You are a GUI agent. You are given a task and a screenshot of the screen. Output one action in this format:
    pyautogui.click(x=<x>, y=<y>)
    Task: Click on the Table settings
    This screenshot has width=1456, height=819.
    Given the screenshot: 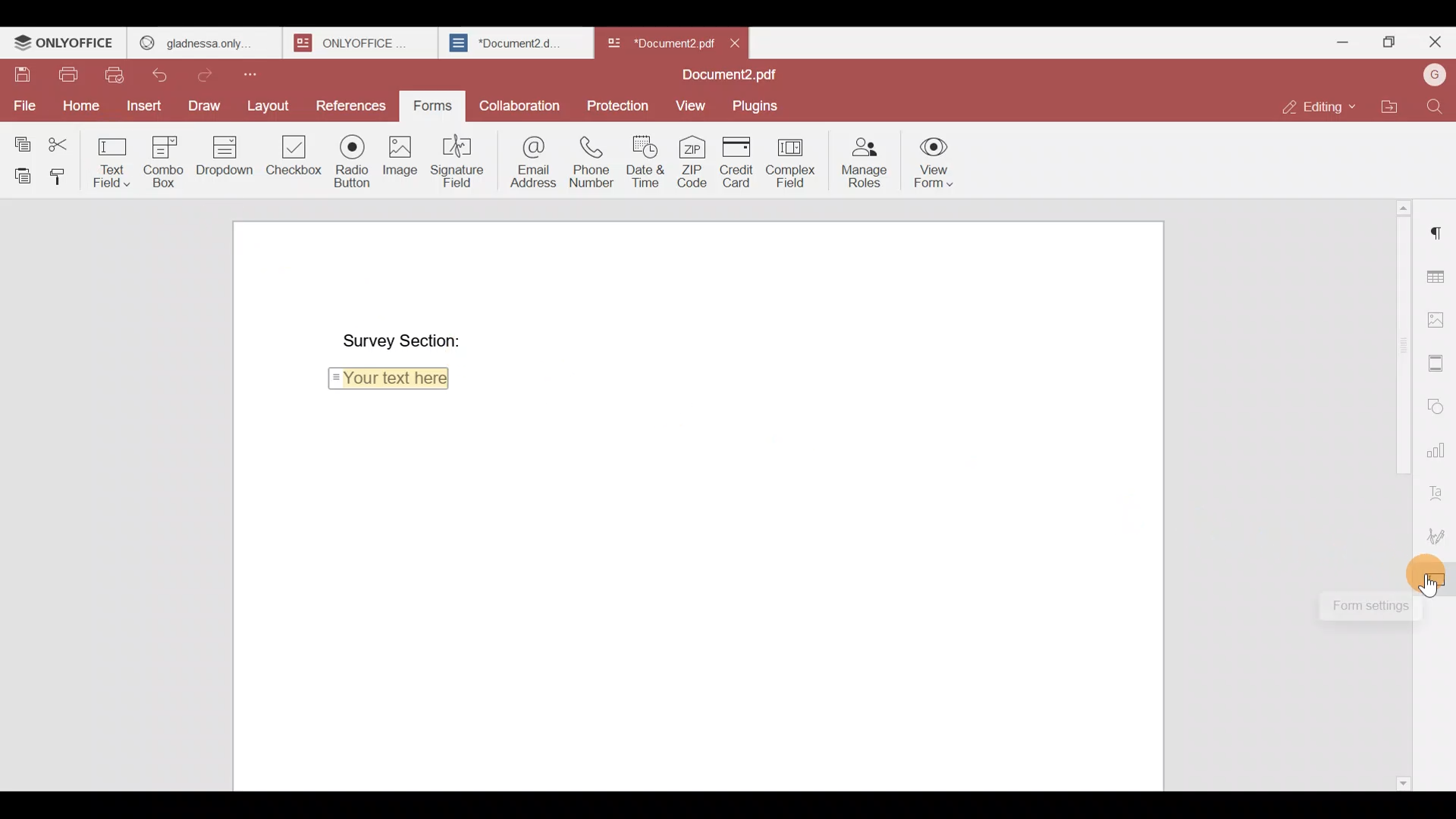 What is the action you would take?
    pyautogui.click(x=1439, y=275)
    